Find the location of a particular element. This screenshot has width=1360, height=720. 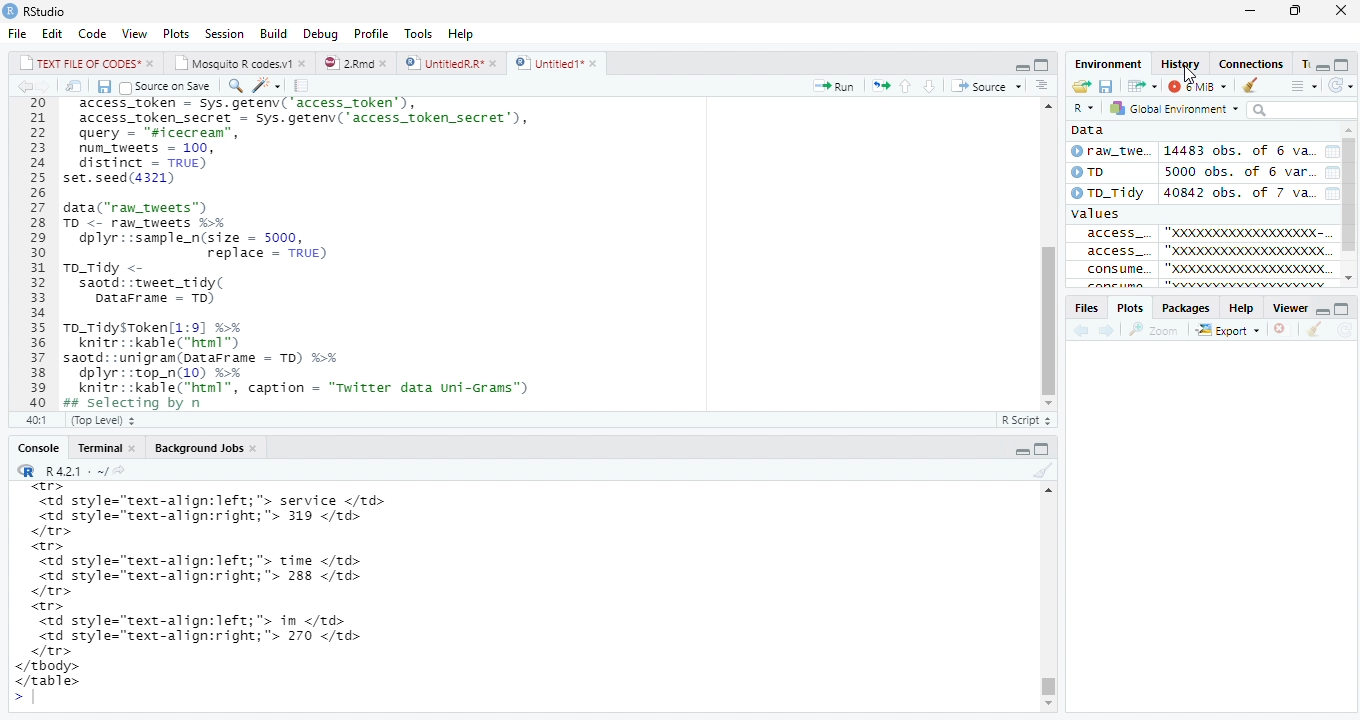

show iin new window is located at coordinates (73, 86).